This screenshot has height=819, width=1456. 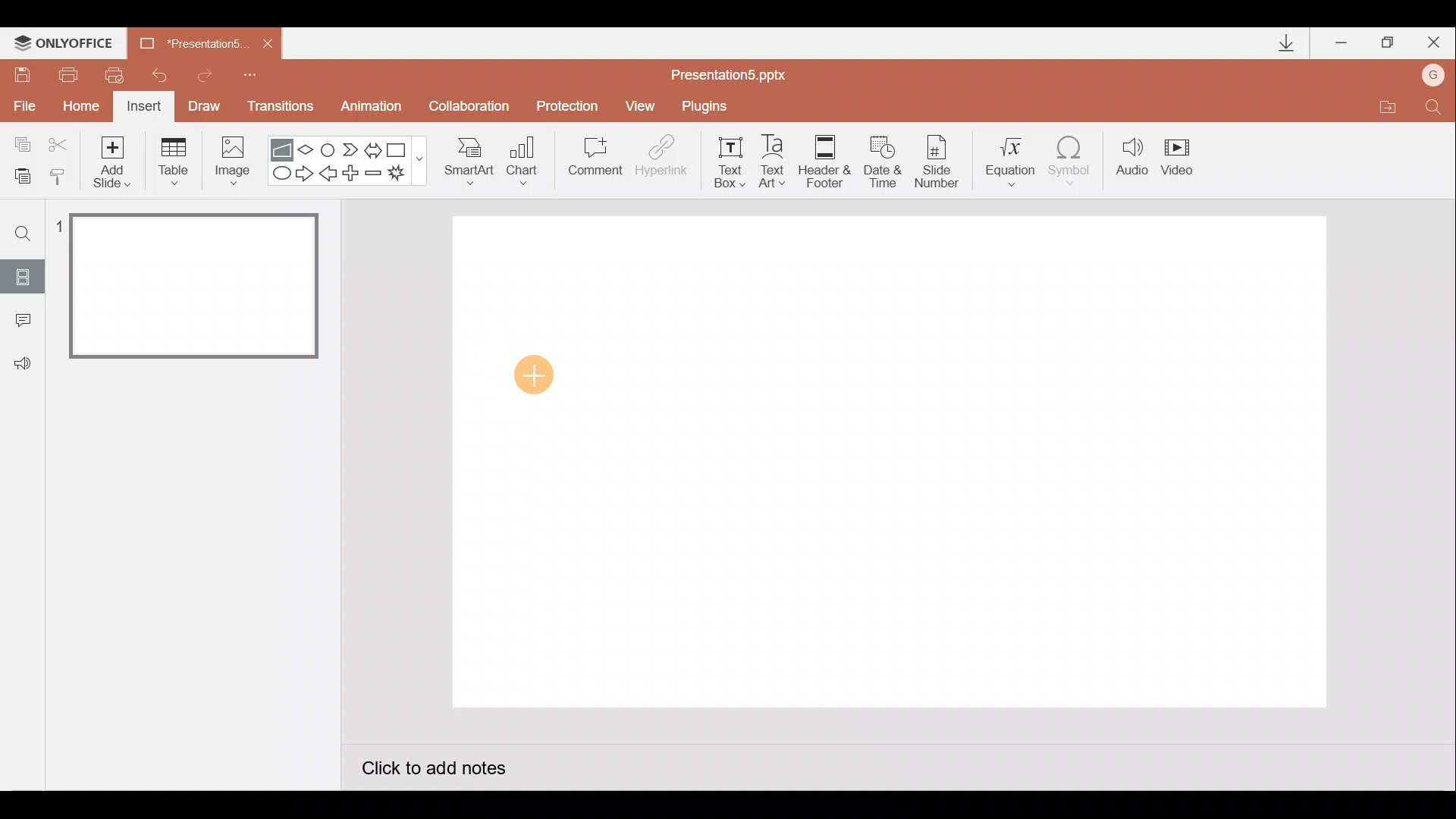 What do you see at coordinates (1433, 111) in the screenshot?
I see `Find` at bounding box center [1433, 111].